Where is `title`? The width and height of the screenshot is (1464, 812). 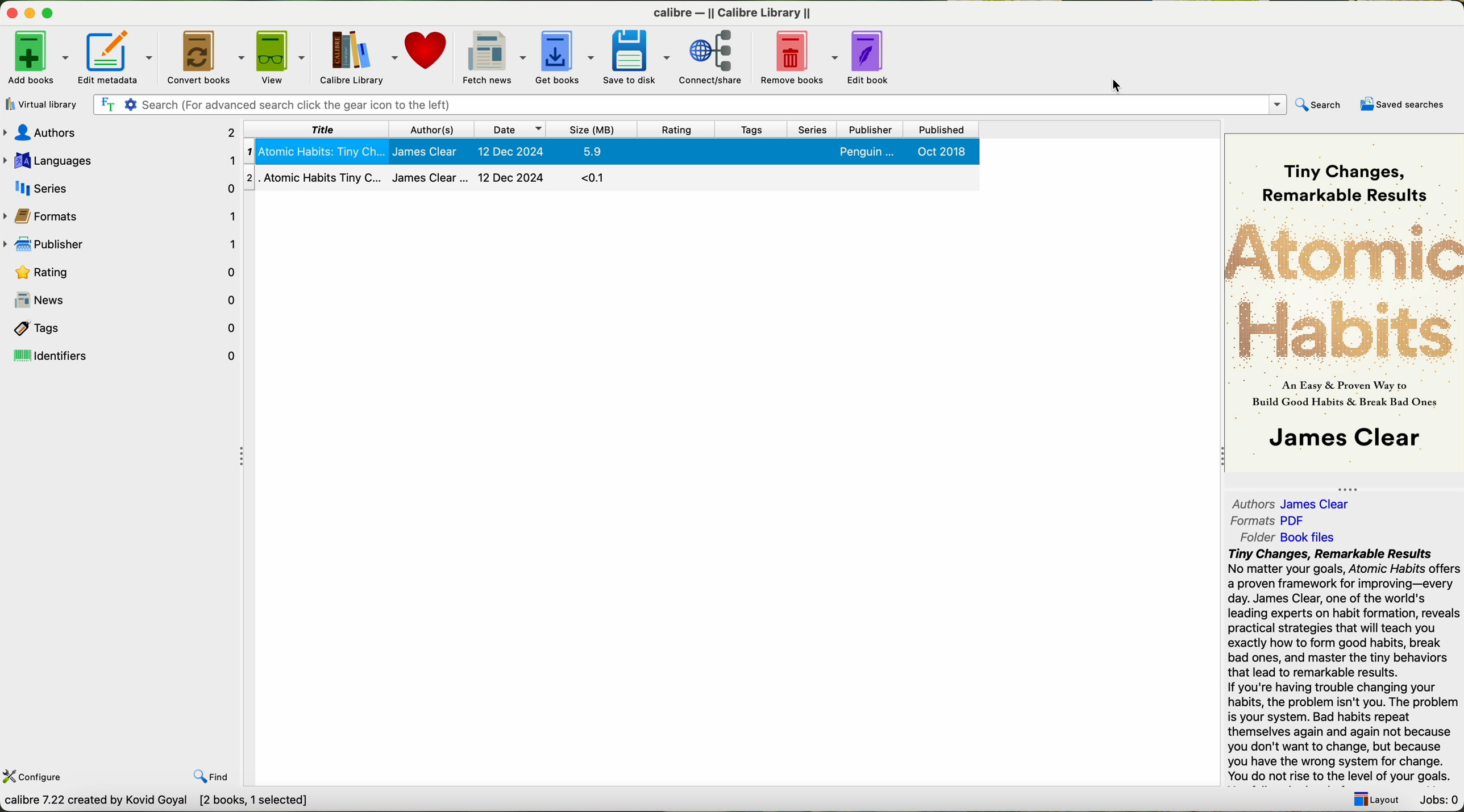 title is located at coordinates (318, 128).